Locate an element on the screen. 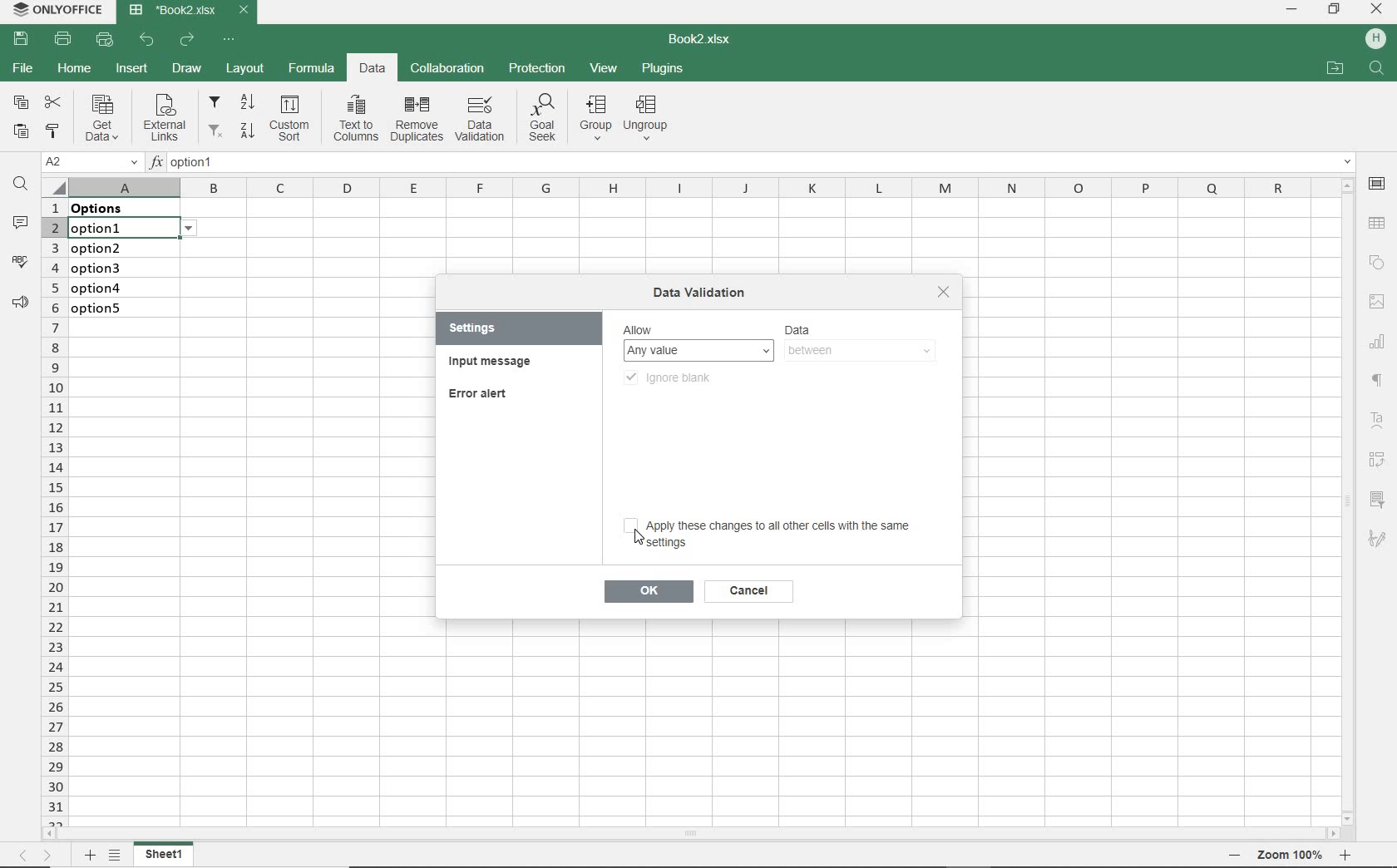 This screenshot has width=1397, height=868. COLLABORATION is located at coordinates (448, 67).